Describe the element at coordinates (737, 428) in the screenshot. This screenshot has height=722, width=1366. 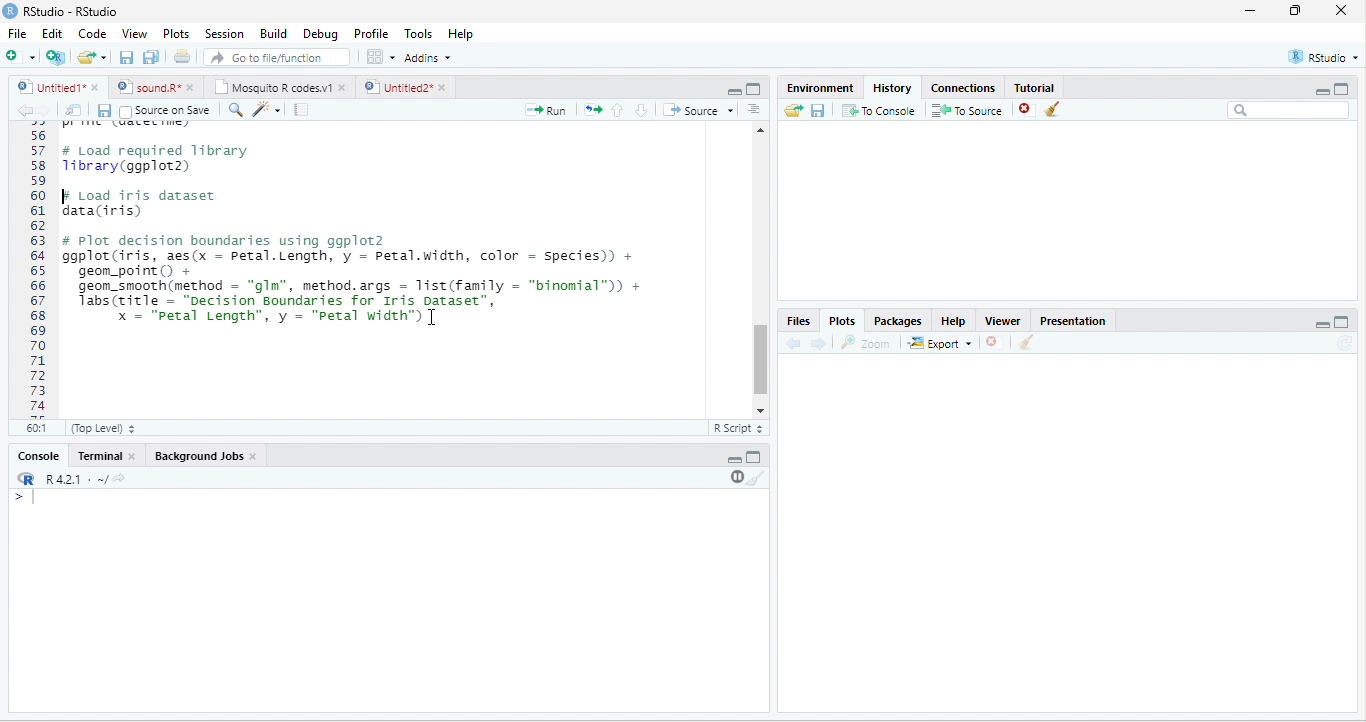
I see `R Script` at that location.